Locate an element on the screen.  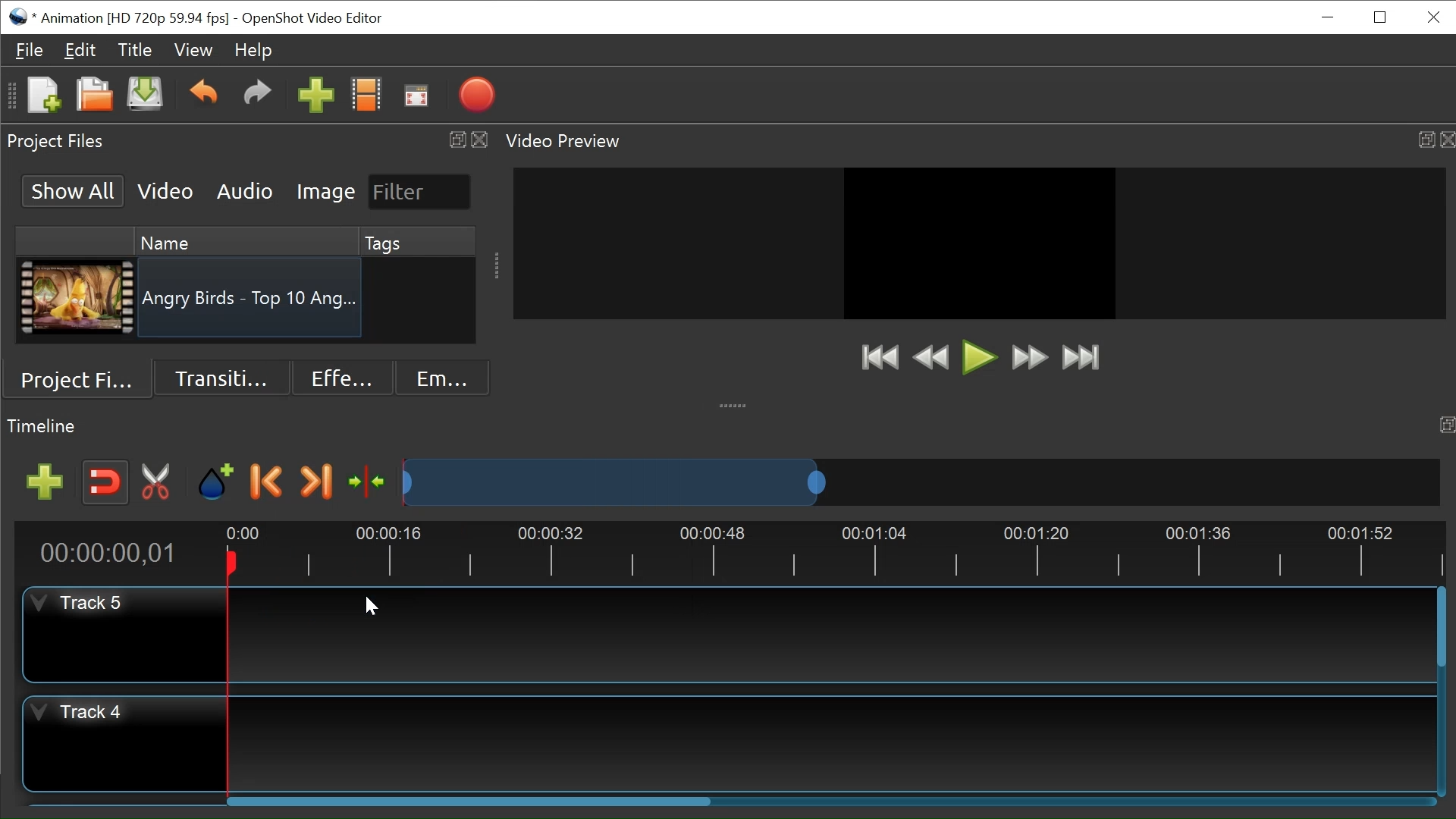
Save Project is located at coordinates (145, 95).